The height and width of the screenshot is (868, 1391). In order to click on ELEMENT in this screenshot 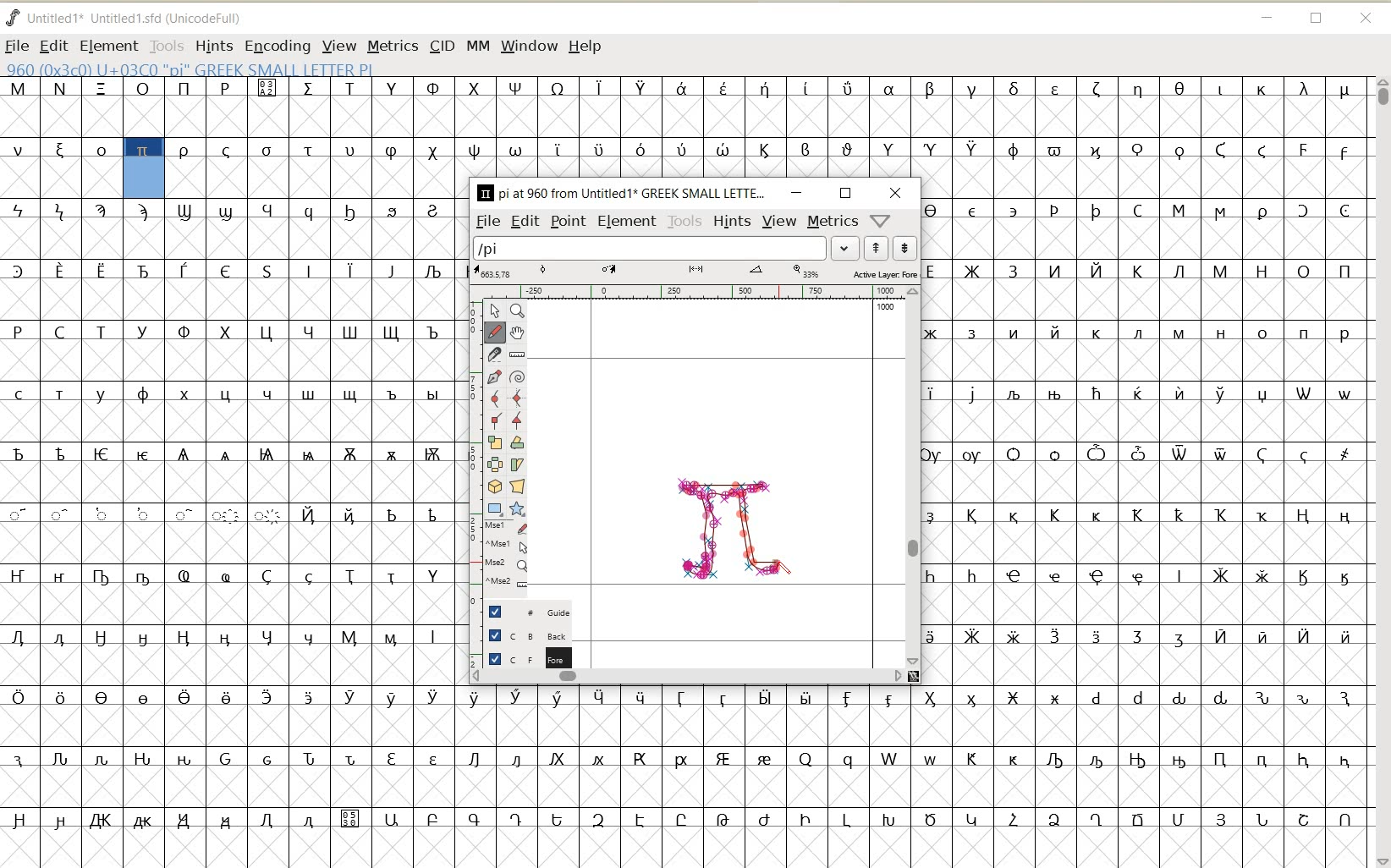, I will do `click(627, 222)`.